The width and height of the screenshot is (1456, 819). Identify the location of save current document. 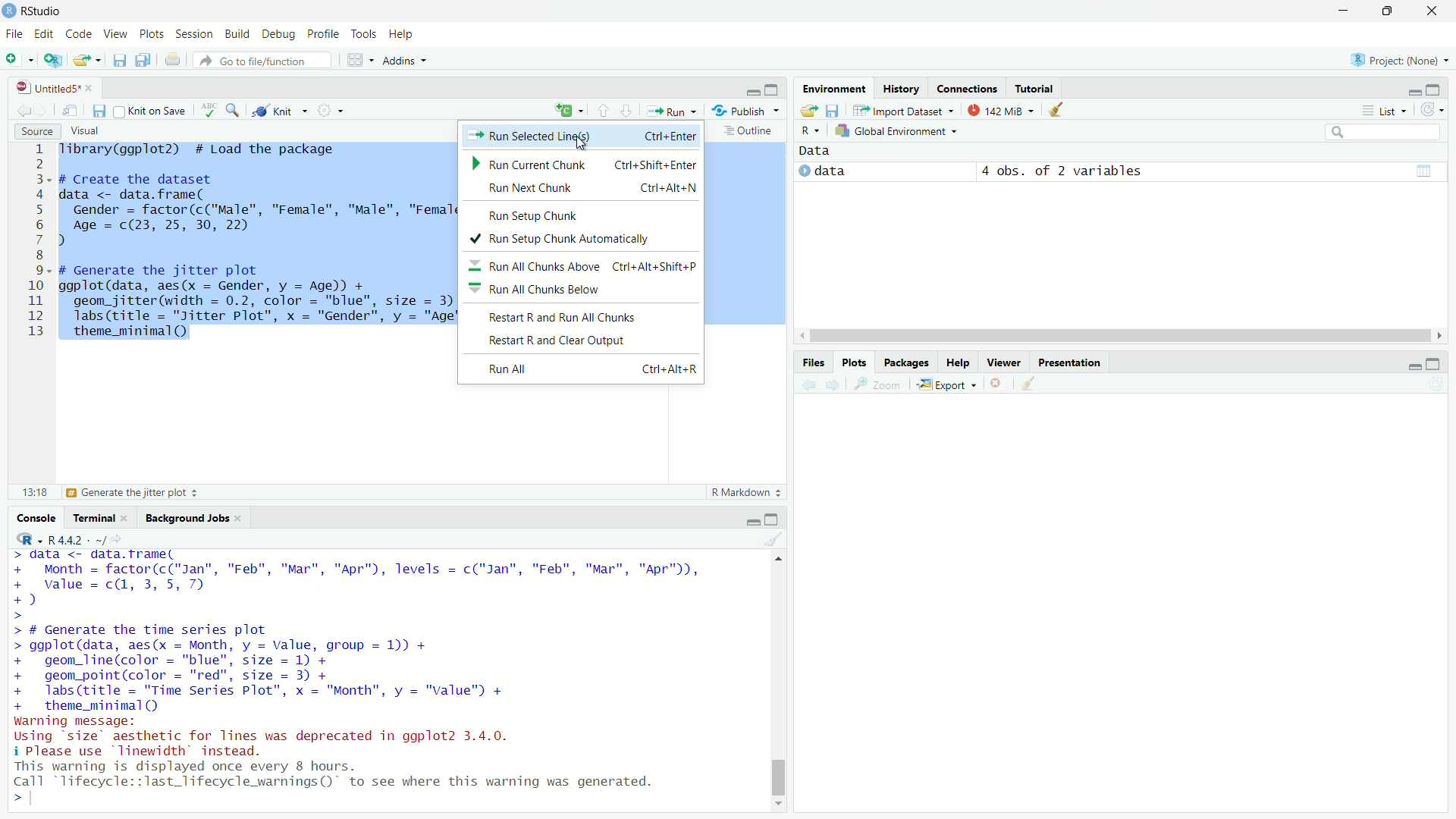
(99, 111).